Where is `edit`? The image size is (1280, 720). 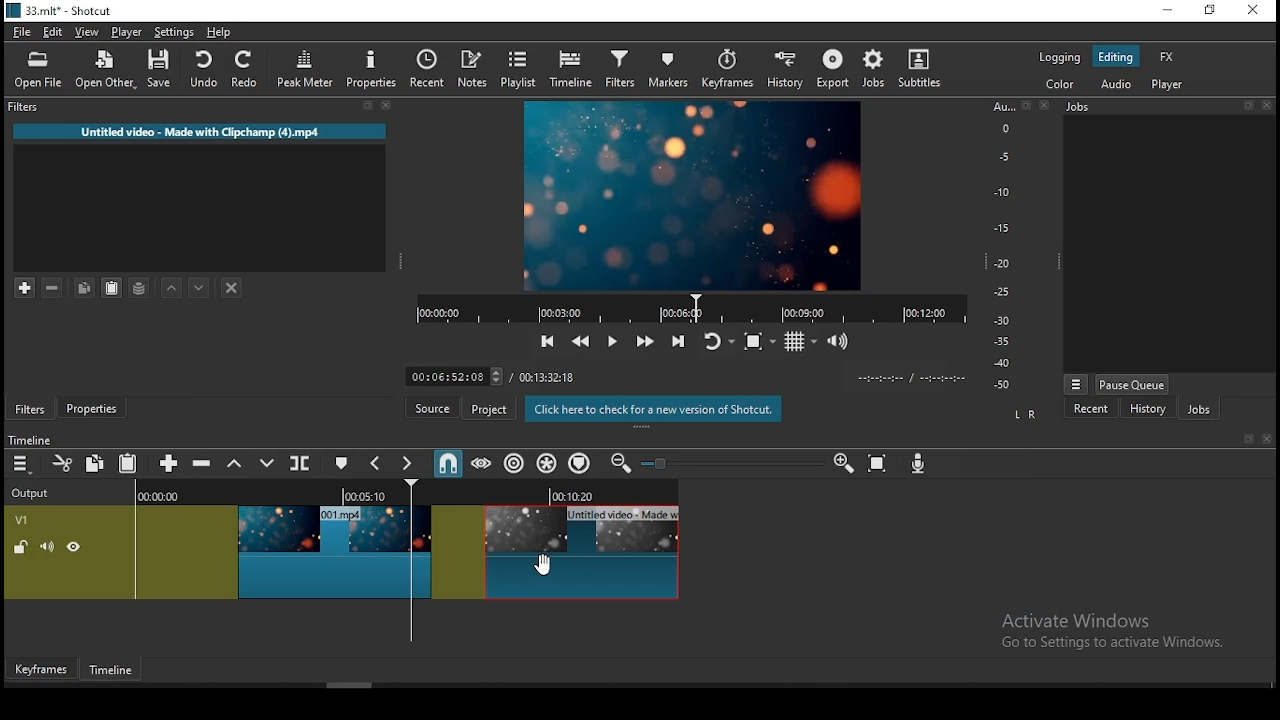
edit is located at coordinates (53, 31).